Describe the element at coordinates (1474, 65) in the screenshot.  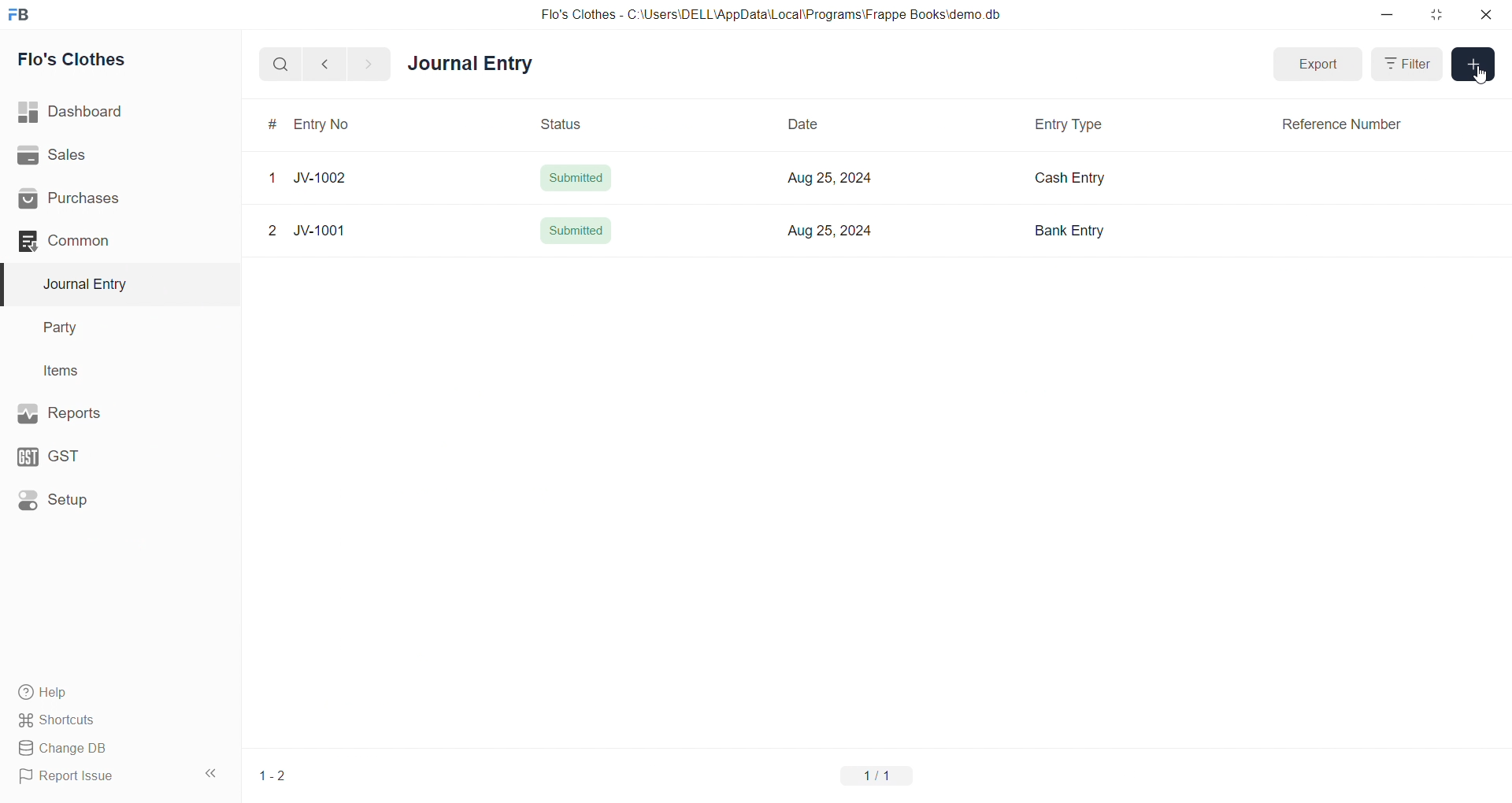
I see `Add Entry` at that location.